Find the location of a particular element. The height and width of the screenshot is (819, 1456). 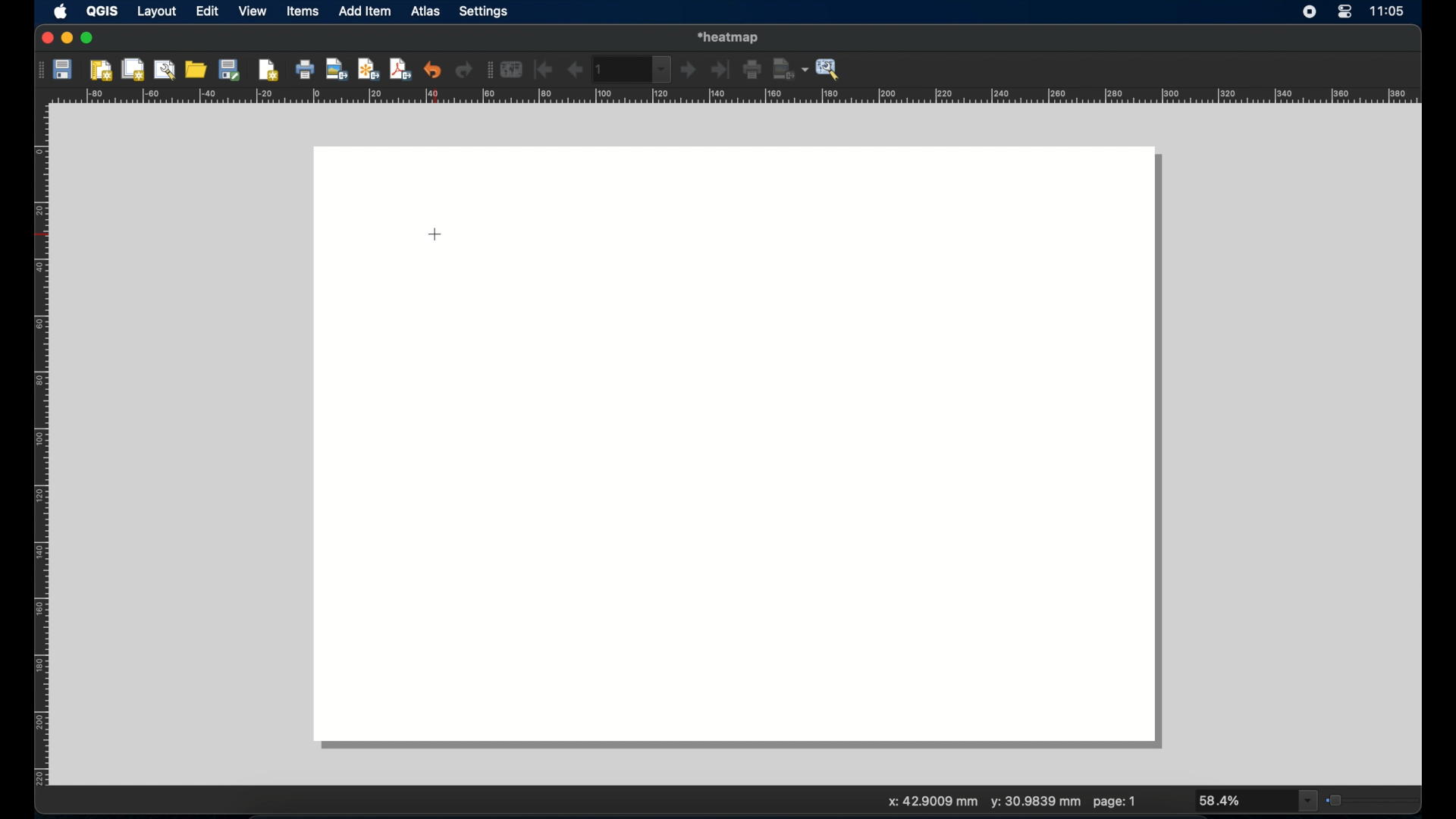

zoom drop down is located at coordinates (1258, 801).